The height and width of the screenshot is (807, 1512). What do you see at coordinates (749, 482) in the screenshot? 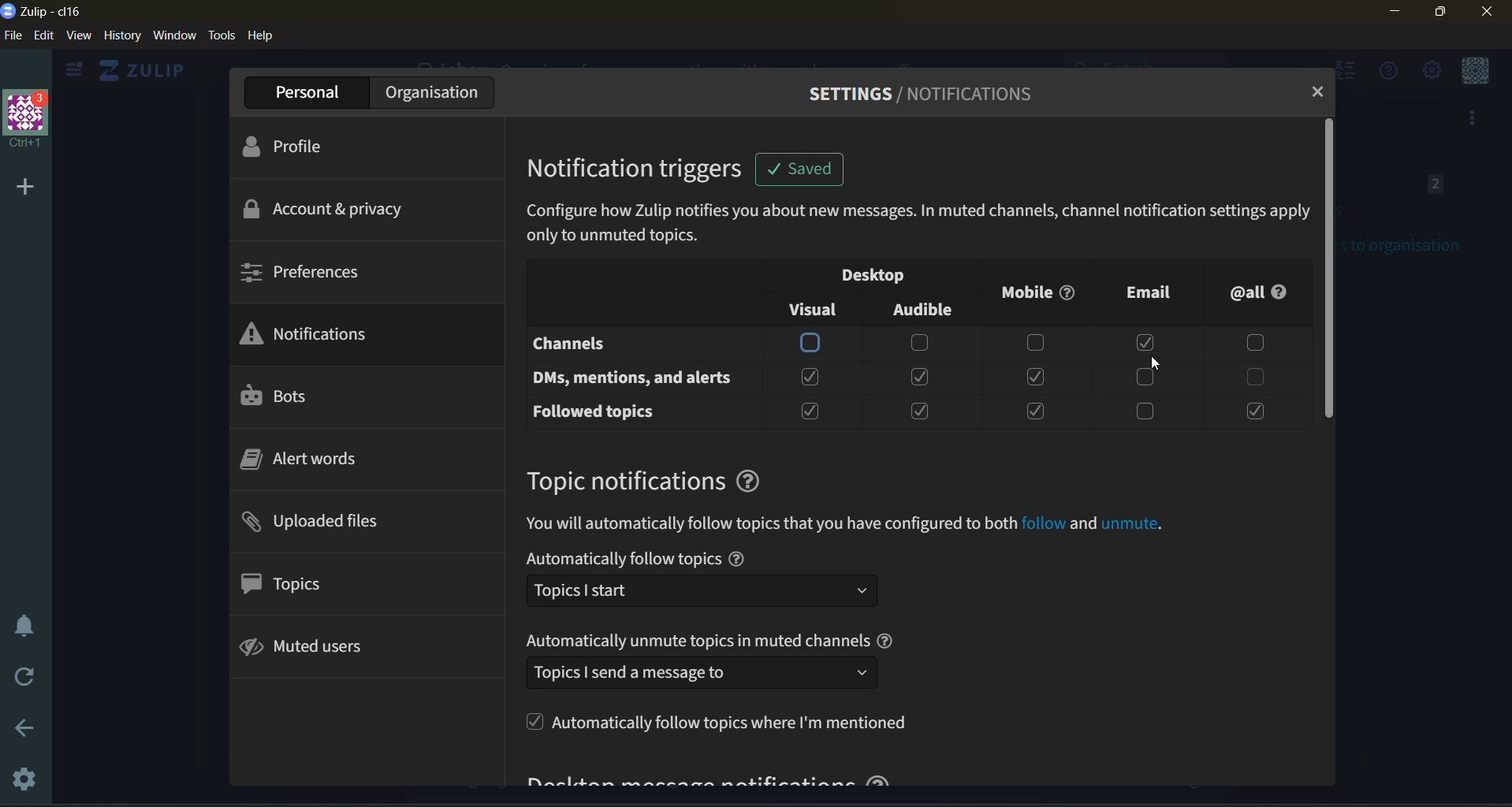
I see `help` at bounding box center [749, 482].